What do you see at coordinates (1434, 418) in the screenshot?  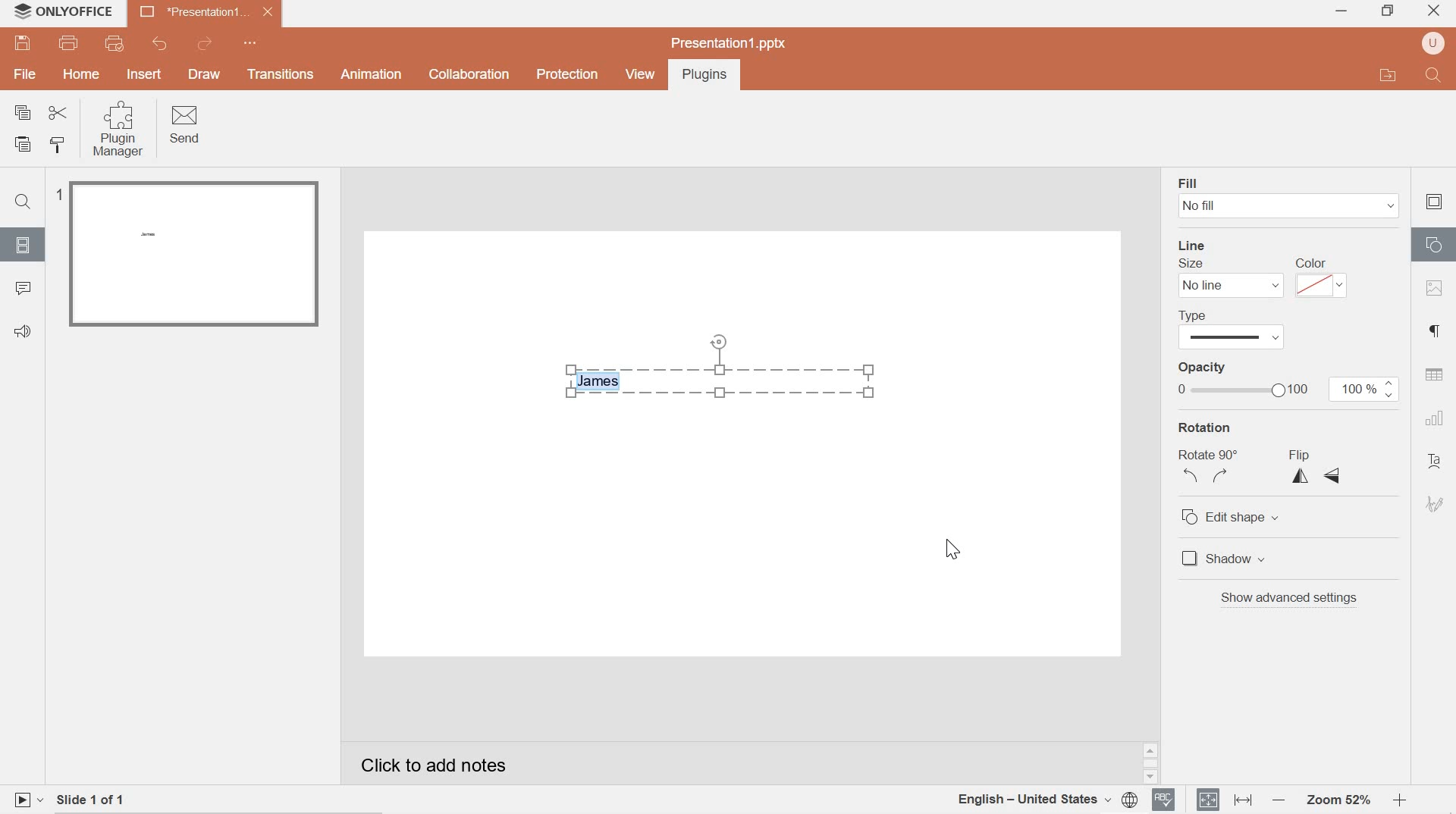 I see `chart` at bounding box center [1434, 418].